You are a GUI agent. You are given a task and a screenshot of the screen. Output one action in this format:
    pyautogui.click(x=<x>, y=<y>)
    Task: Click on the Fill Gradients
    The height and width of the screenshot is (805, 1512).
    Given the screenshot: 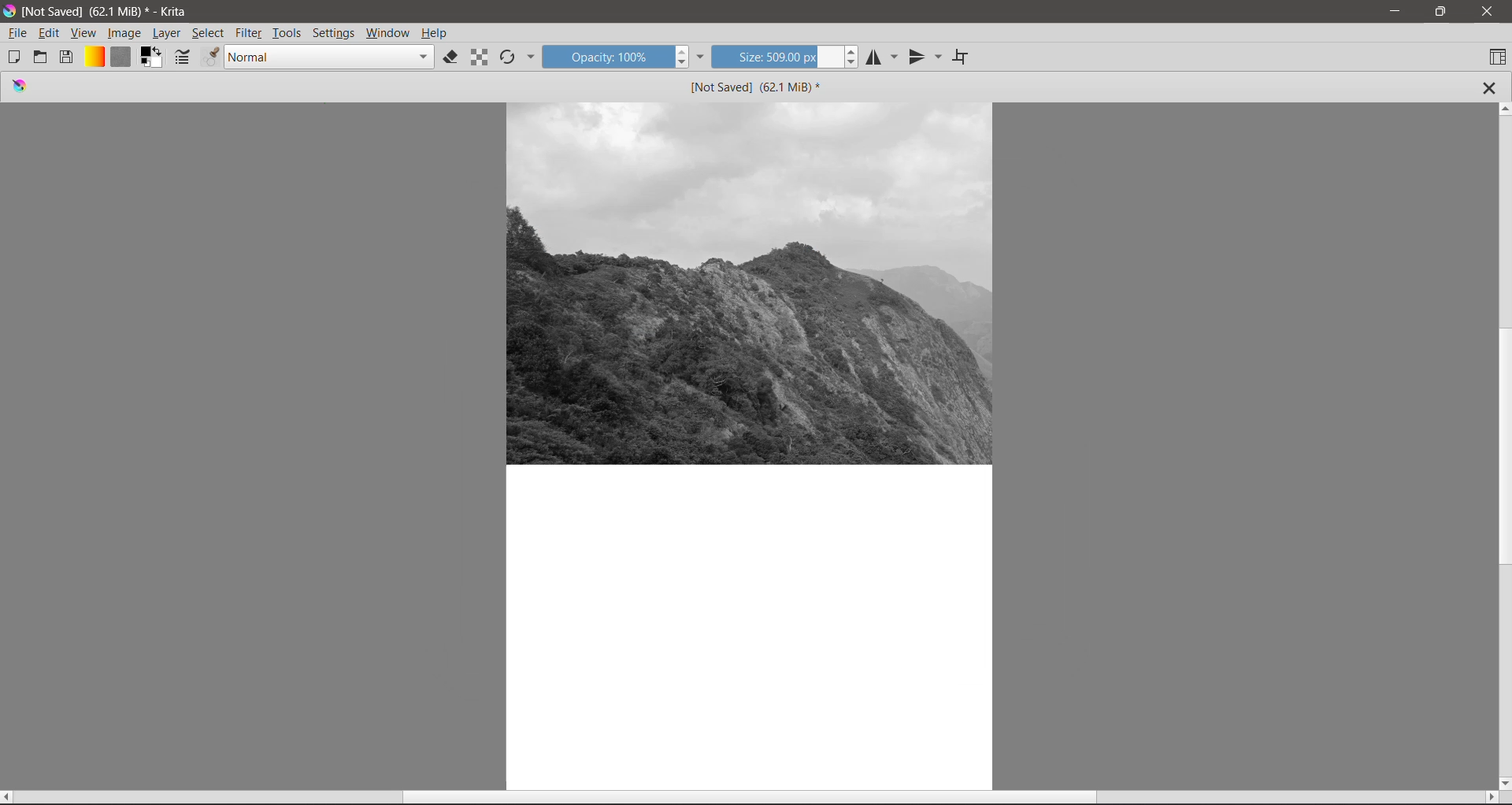 What is the action you would take?
    pyautogui.click(x=95, y=57)
    